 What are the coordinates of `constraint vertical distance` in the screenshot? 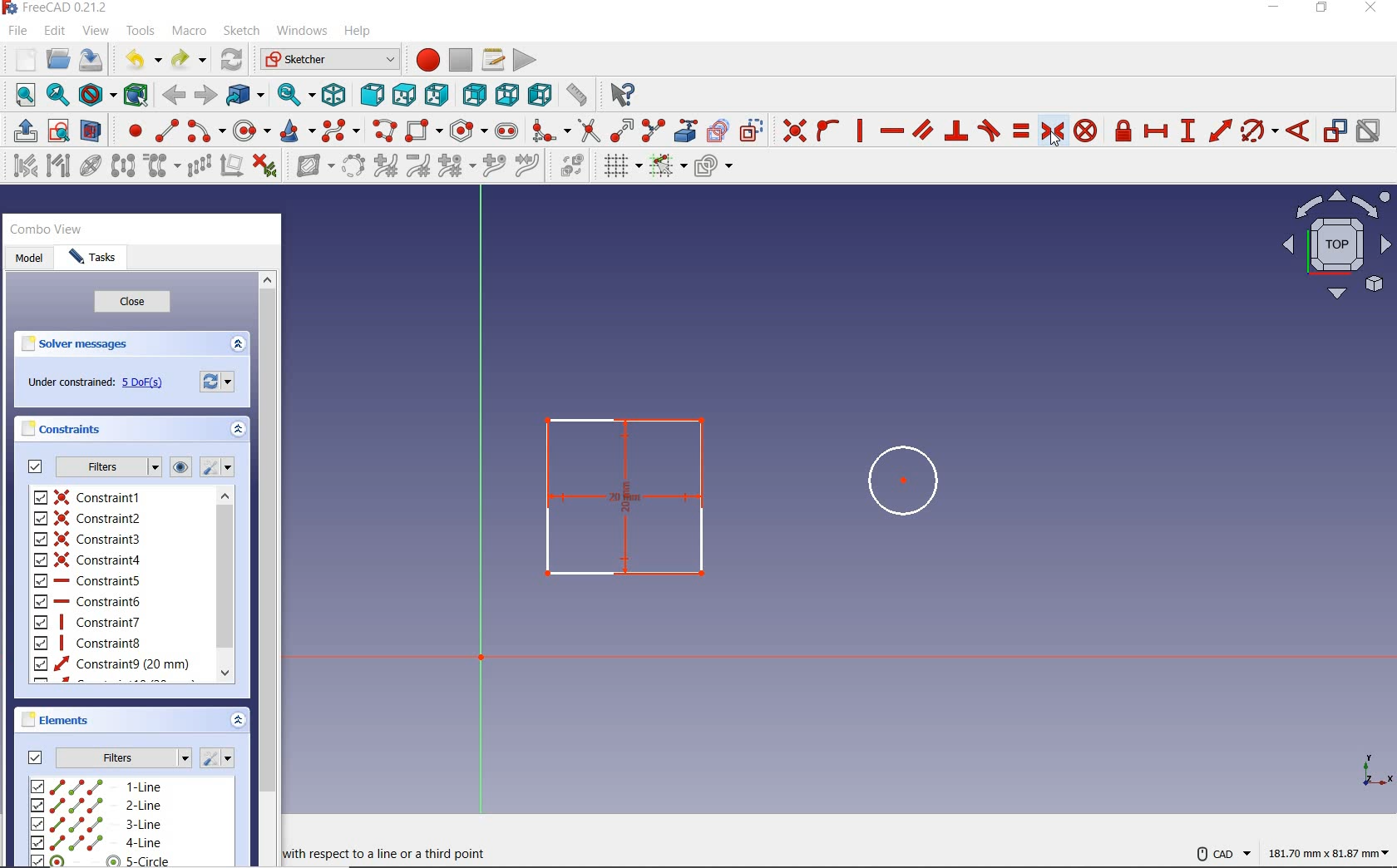 It's located at (1188, 131).